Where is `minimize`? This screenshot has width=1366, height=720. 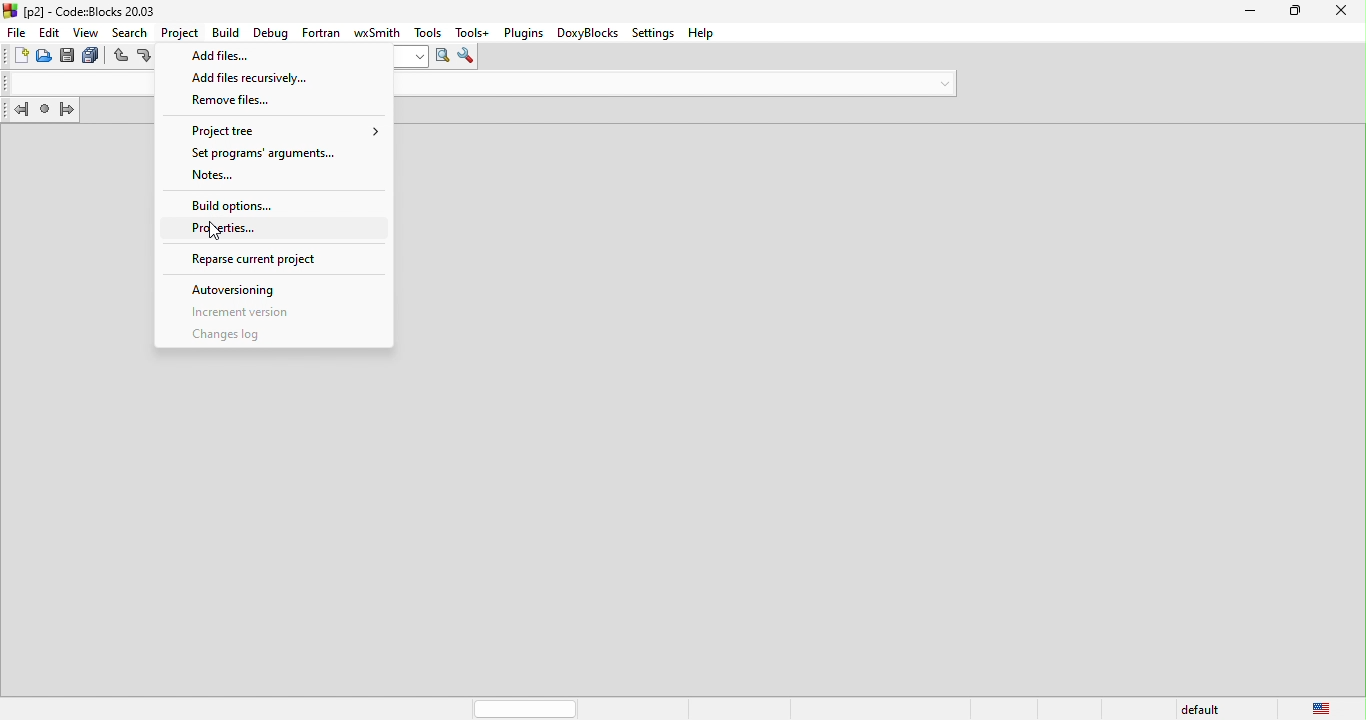
minimize is located at coordinates (1251, 12).